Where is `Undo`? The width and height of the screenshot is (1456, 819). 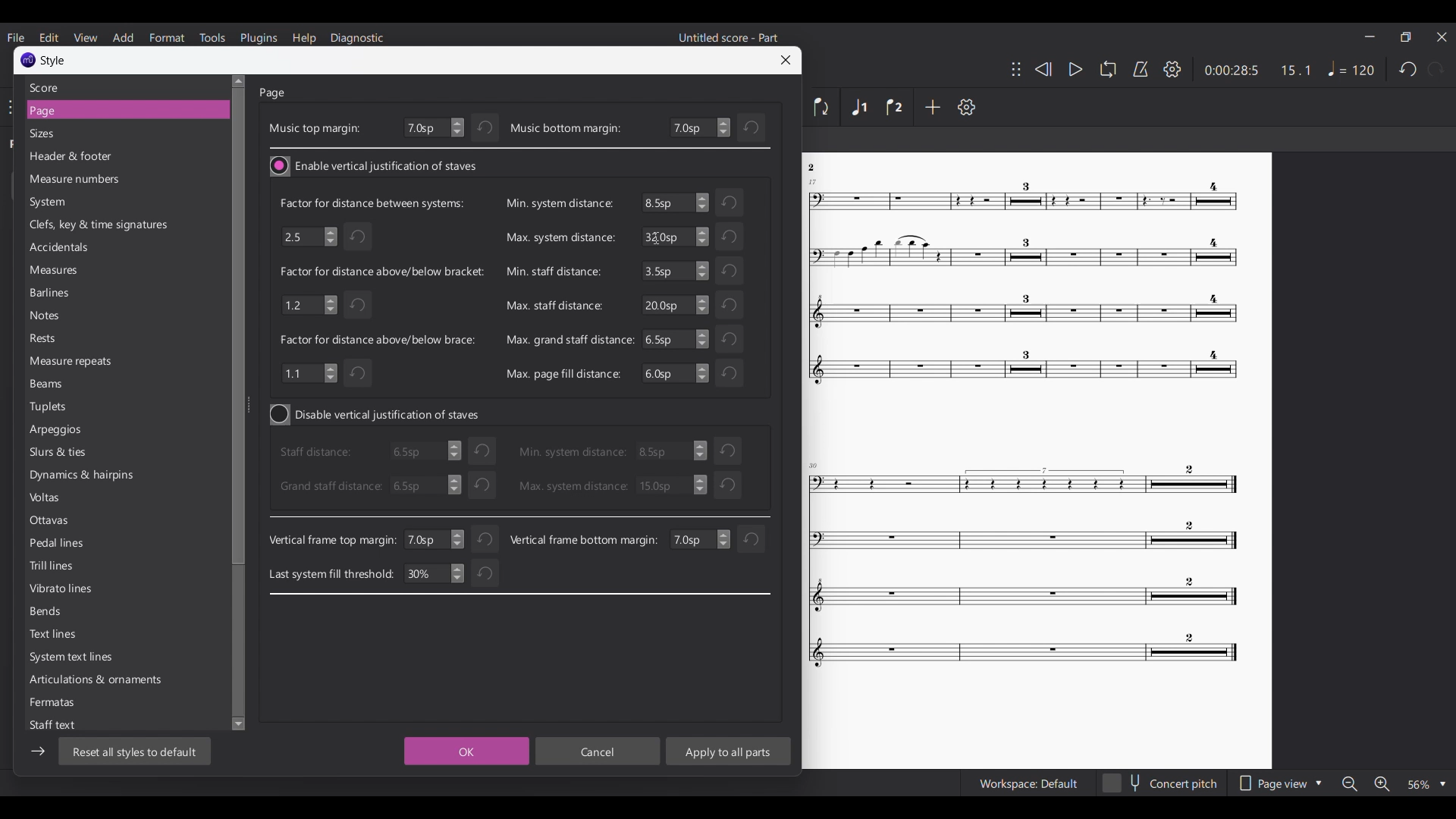 Undo is located at coordinates (360, 237).